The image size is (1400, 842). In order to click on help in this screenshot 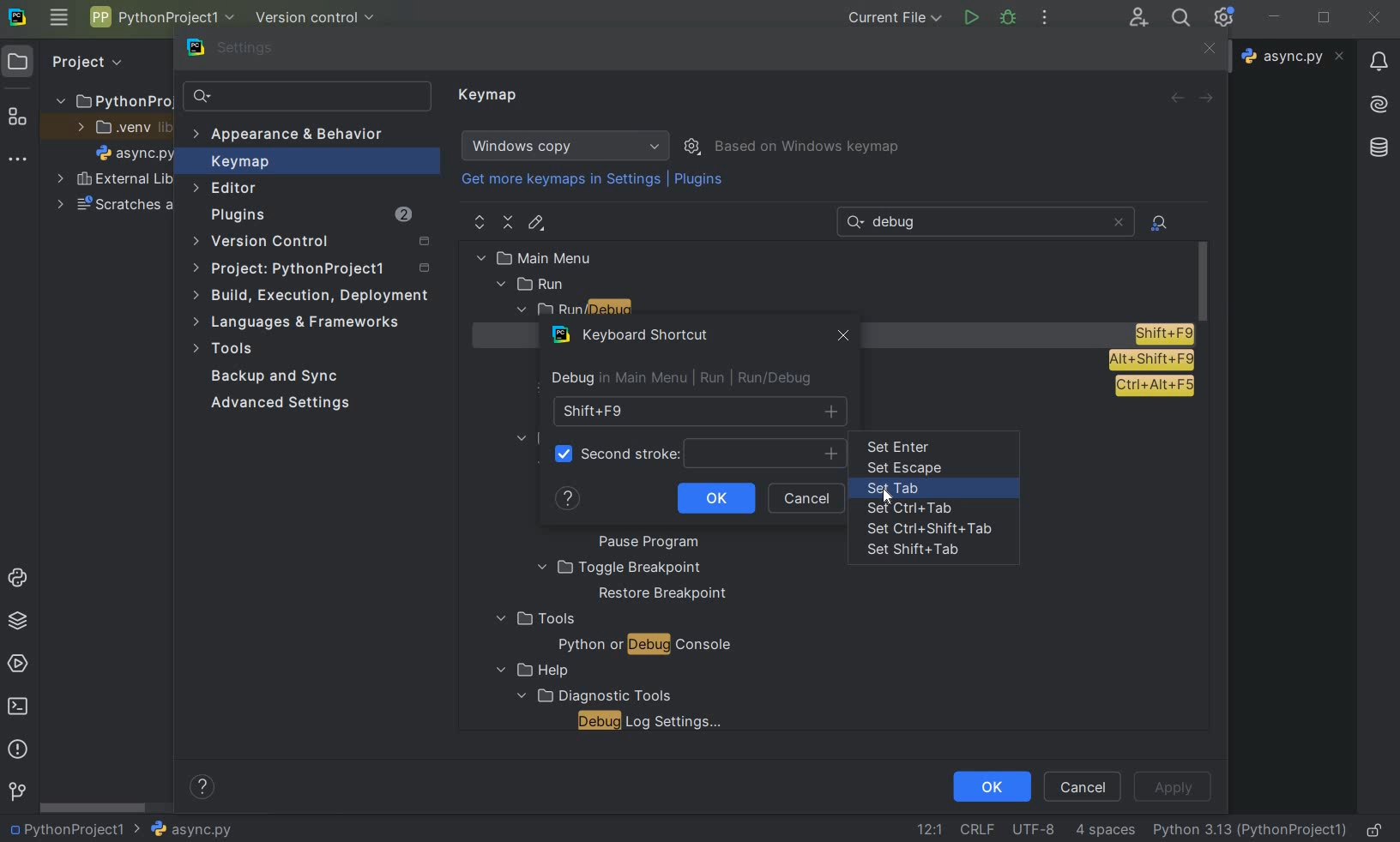, I will do `click(570, 502)`.